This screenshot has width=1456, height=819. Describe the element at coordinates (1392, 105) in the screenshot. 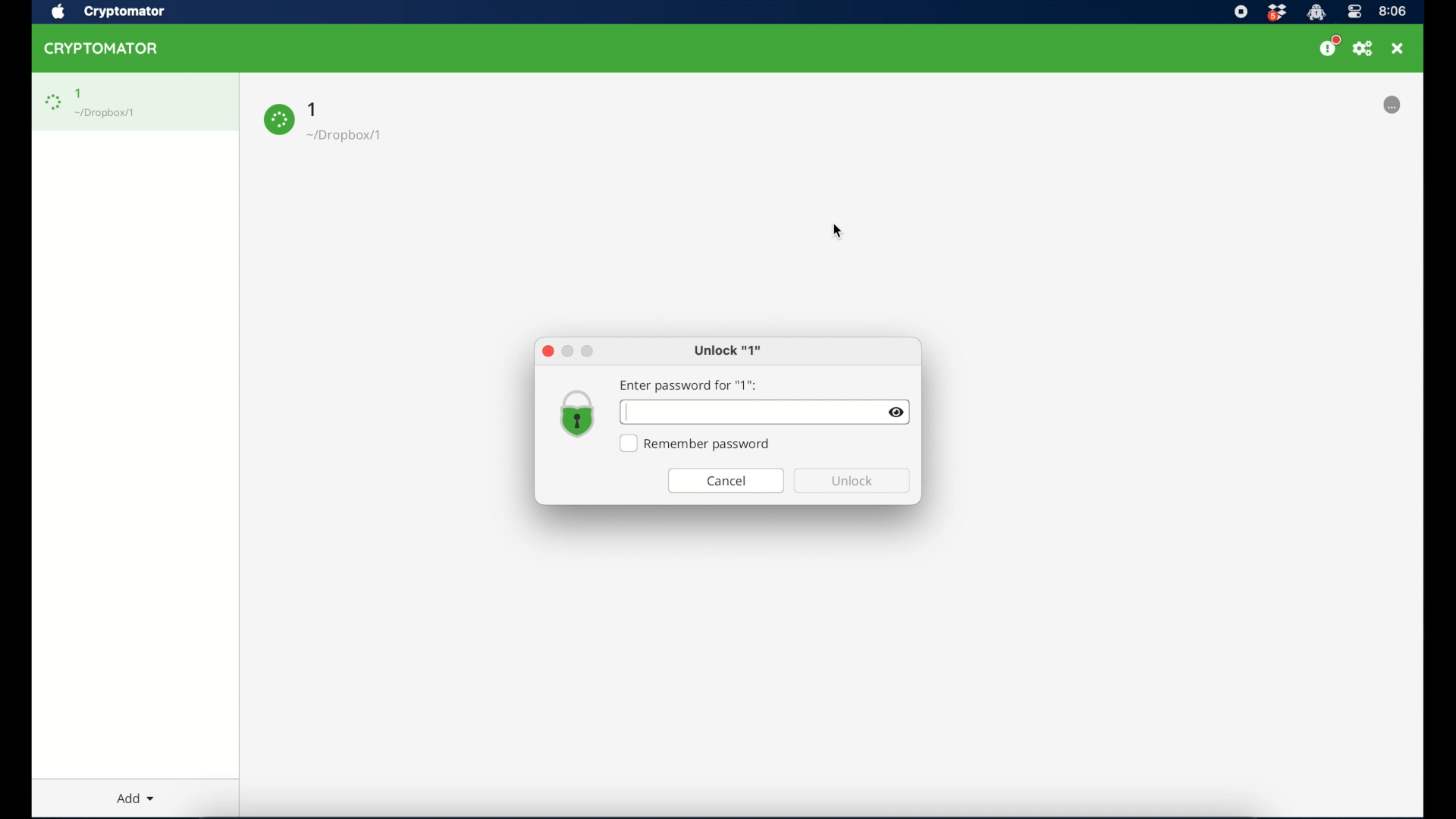

I see `options` at that location.